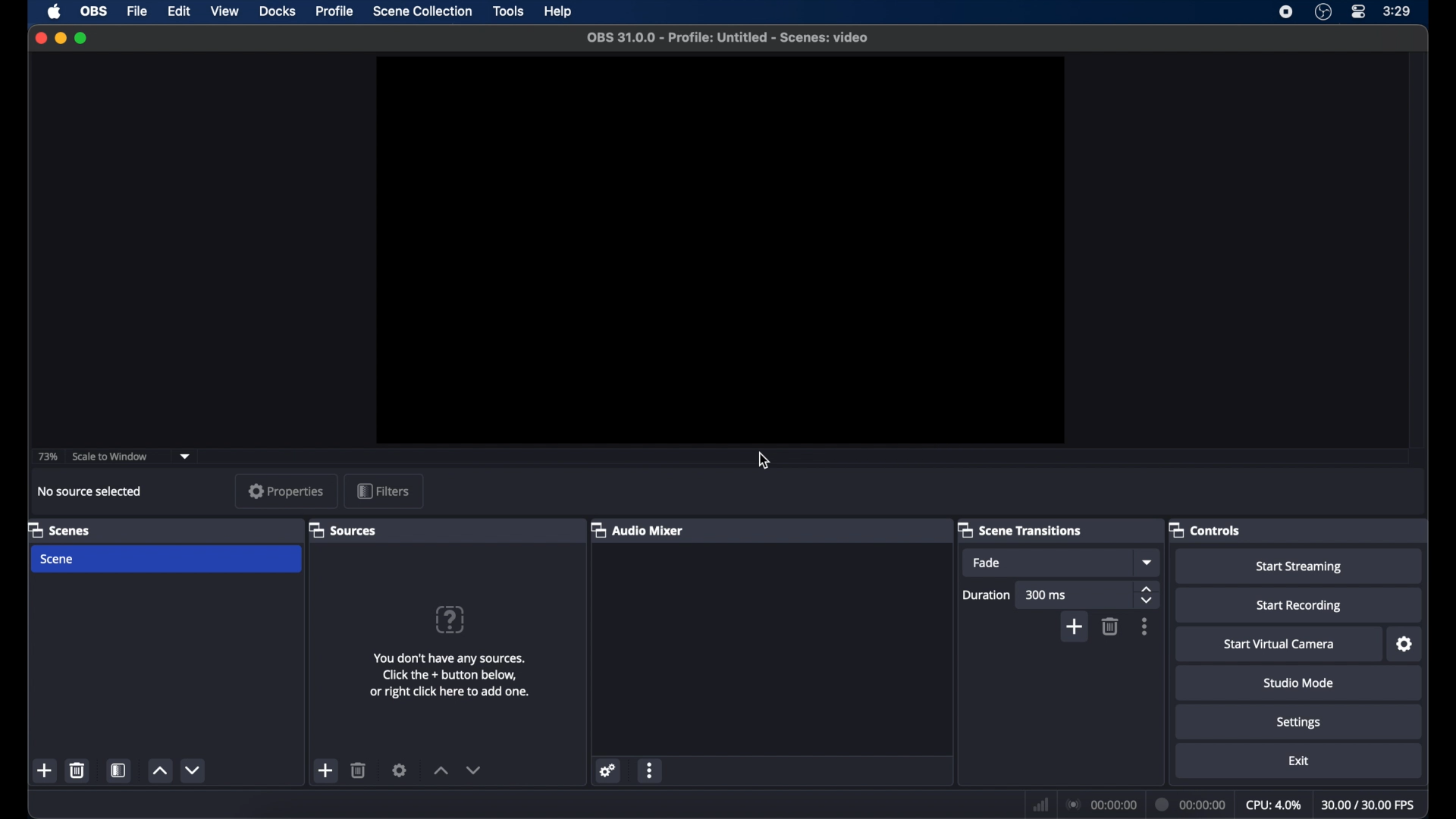  What do you see at coordinates (1100, 804) in the screenshot?
I see `connection` at bounding box center [1100, 804].